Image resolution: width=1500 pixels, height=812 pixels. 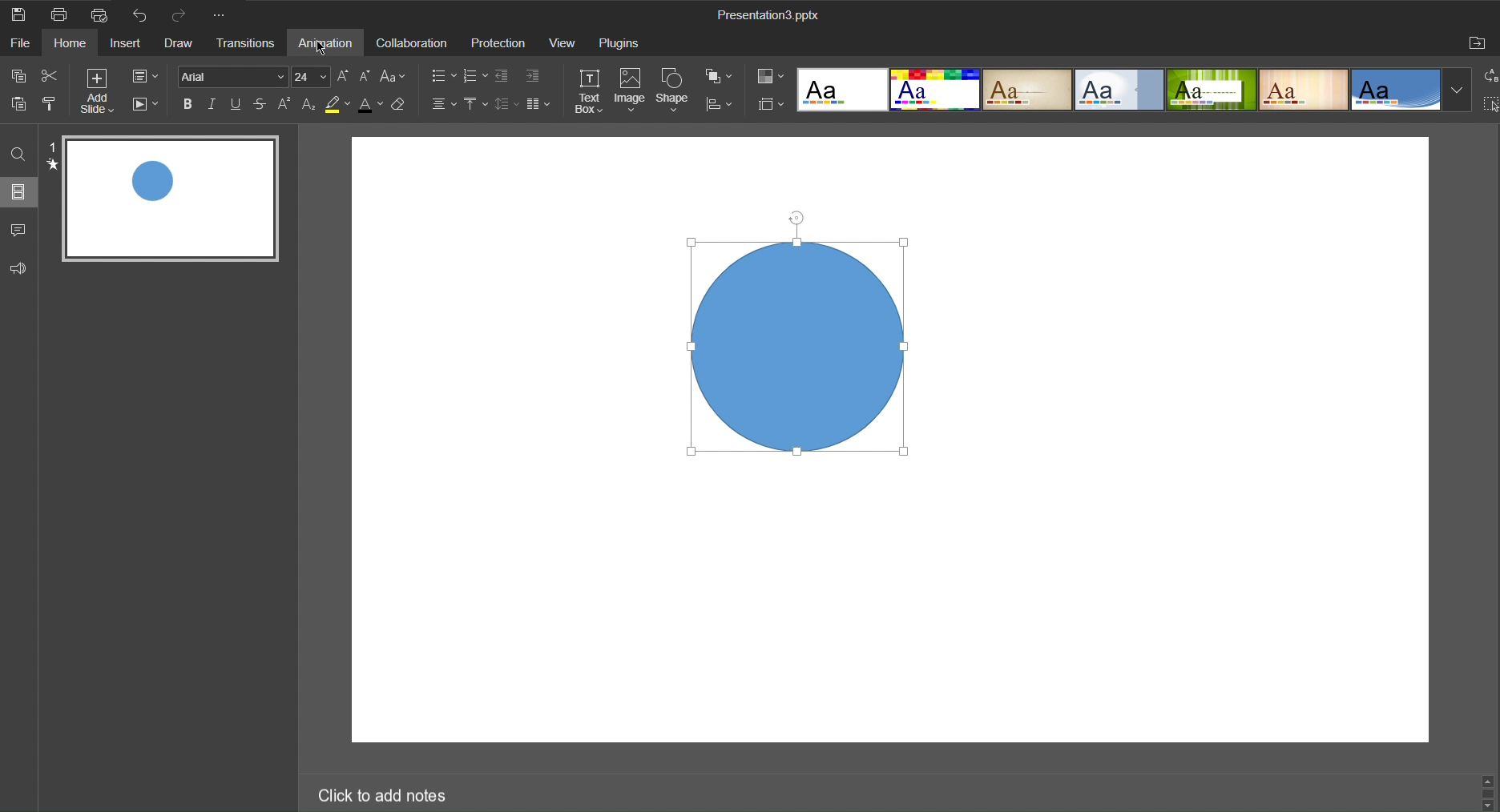 I want to click on Font Case Setting, so click(x=397, y=78).